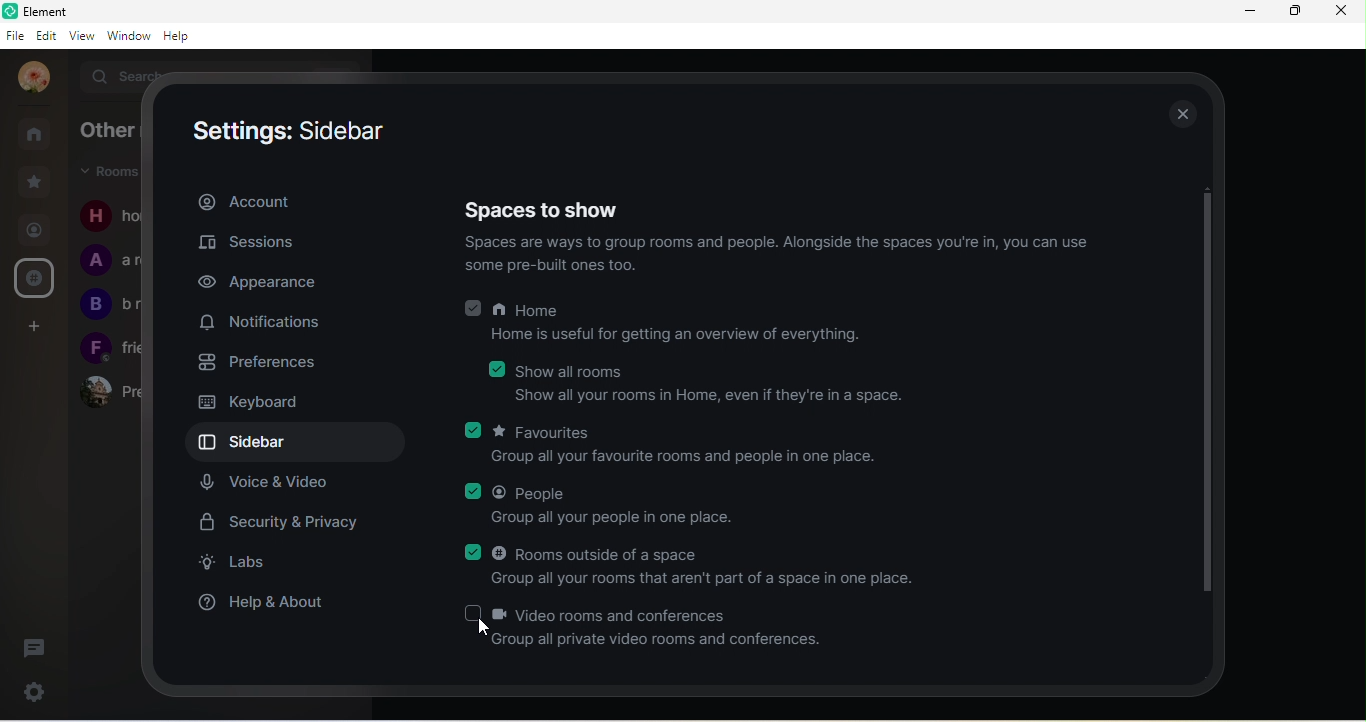 This screenshot has height=722, width=1366. Describe the element at coordinates (34, 232) in the screenshot. I see `people` at that location.